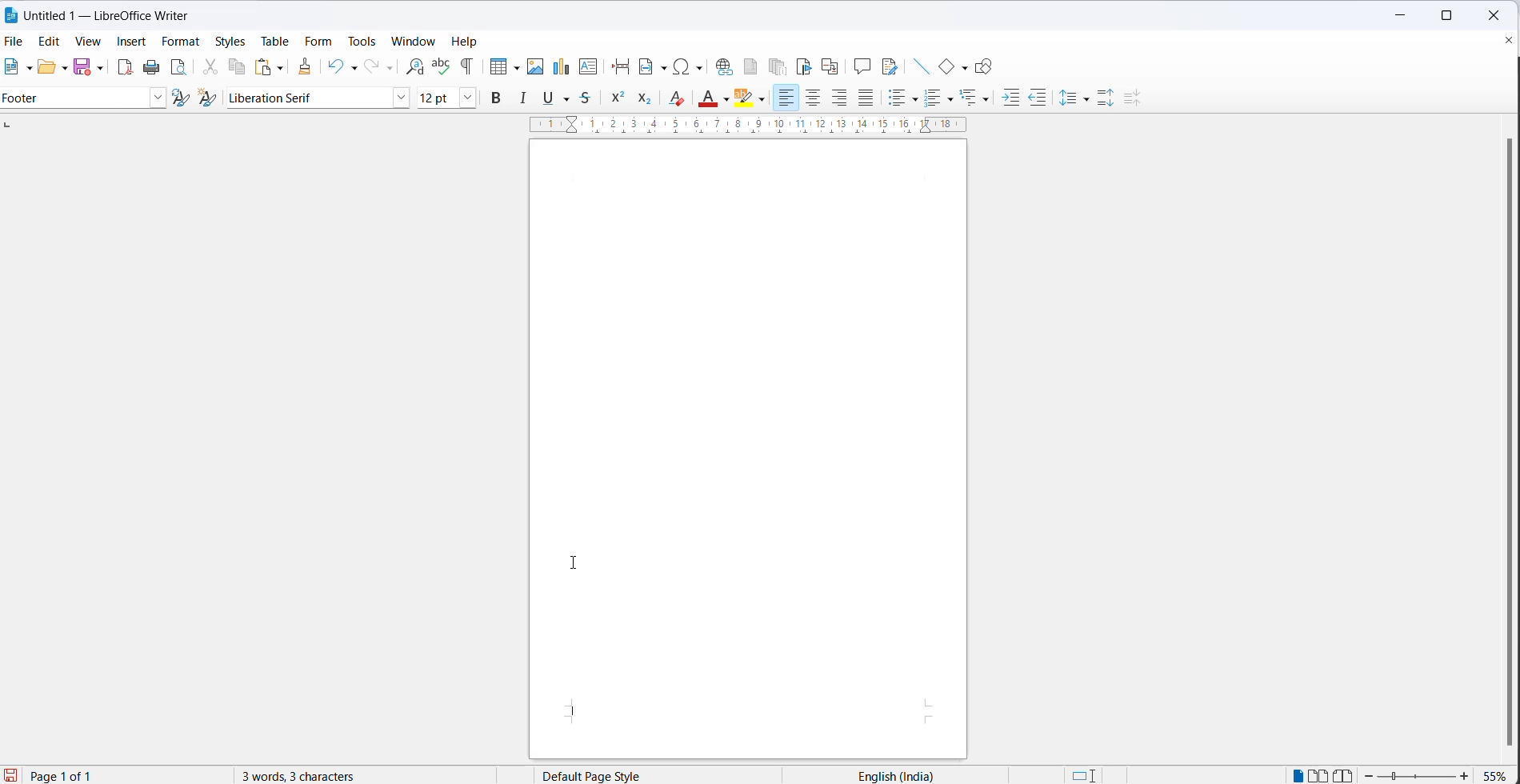 The image size is (1520, 784). What do you see at coordinates (275, 40) in the screenshot?
I see `table` at bounding box center [275, 40].